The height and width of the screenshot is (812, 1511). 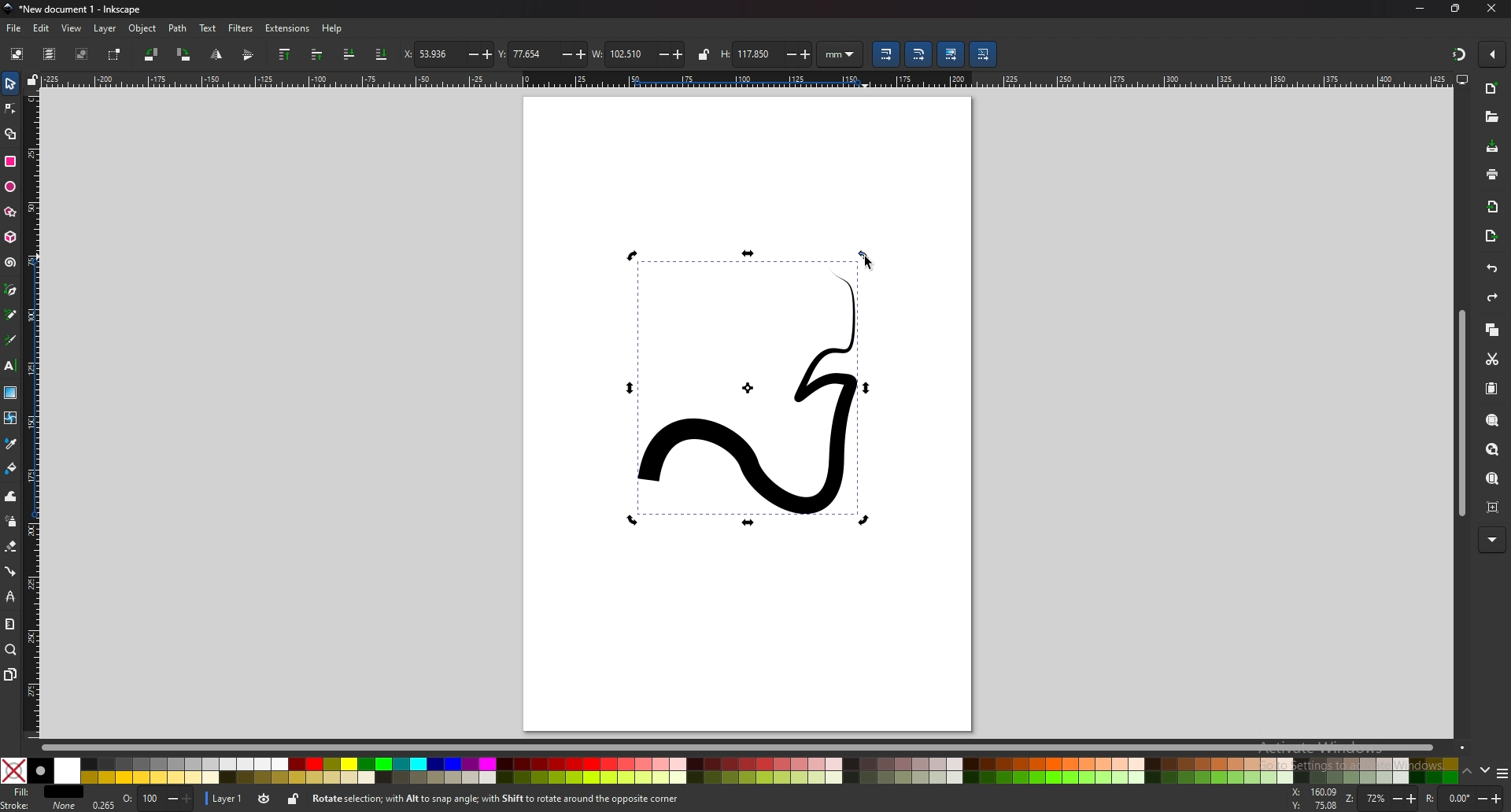 I want to click on open, so click(x=1490, y=116).